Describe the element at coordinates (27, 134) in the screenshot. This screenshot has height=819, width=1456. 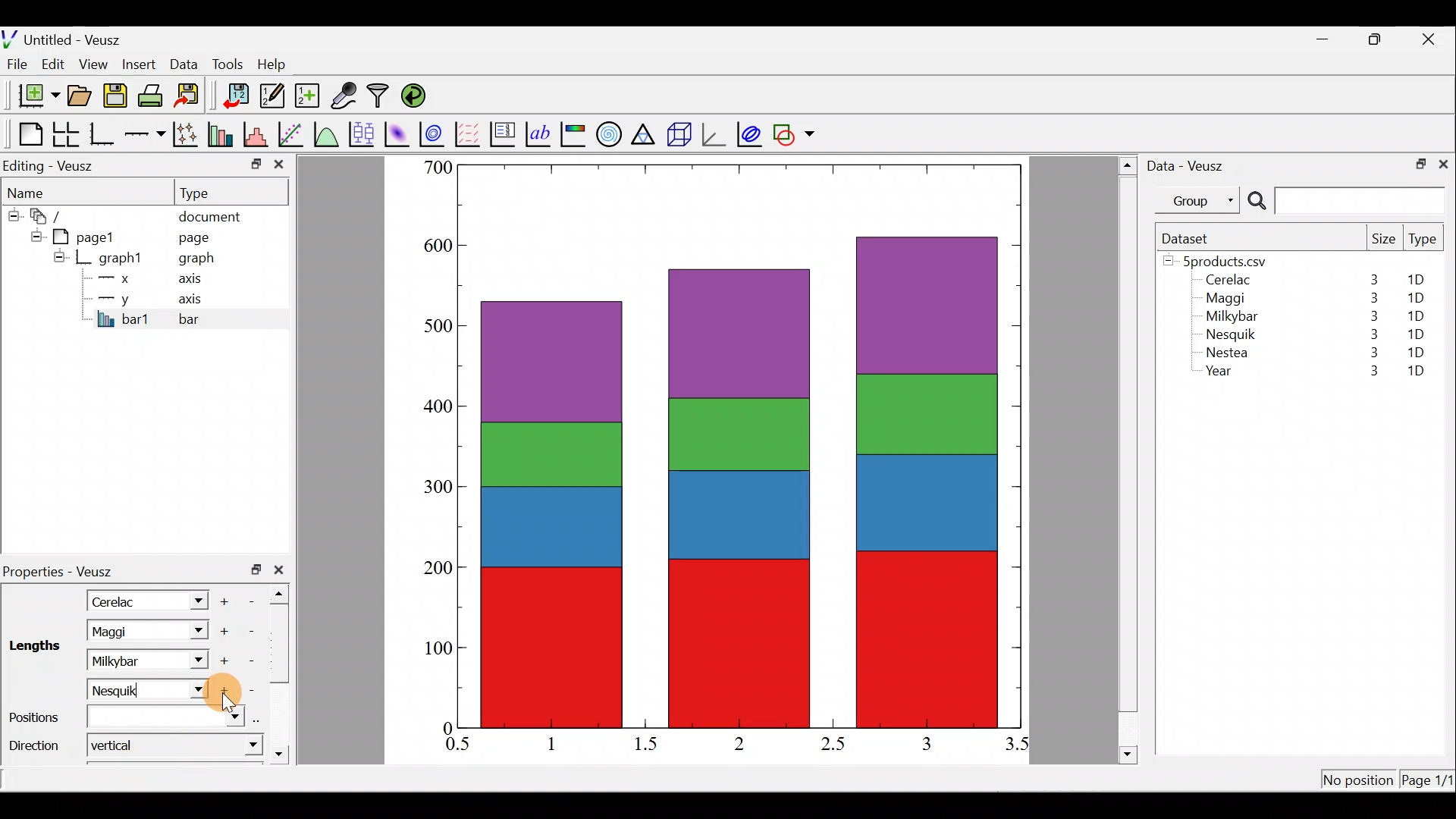
I see `Blank page` at that location.